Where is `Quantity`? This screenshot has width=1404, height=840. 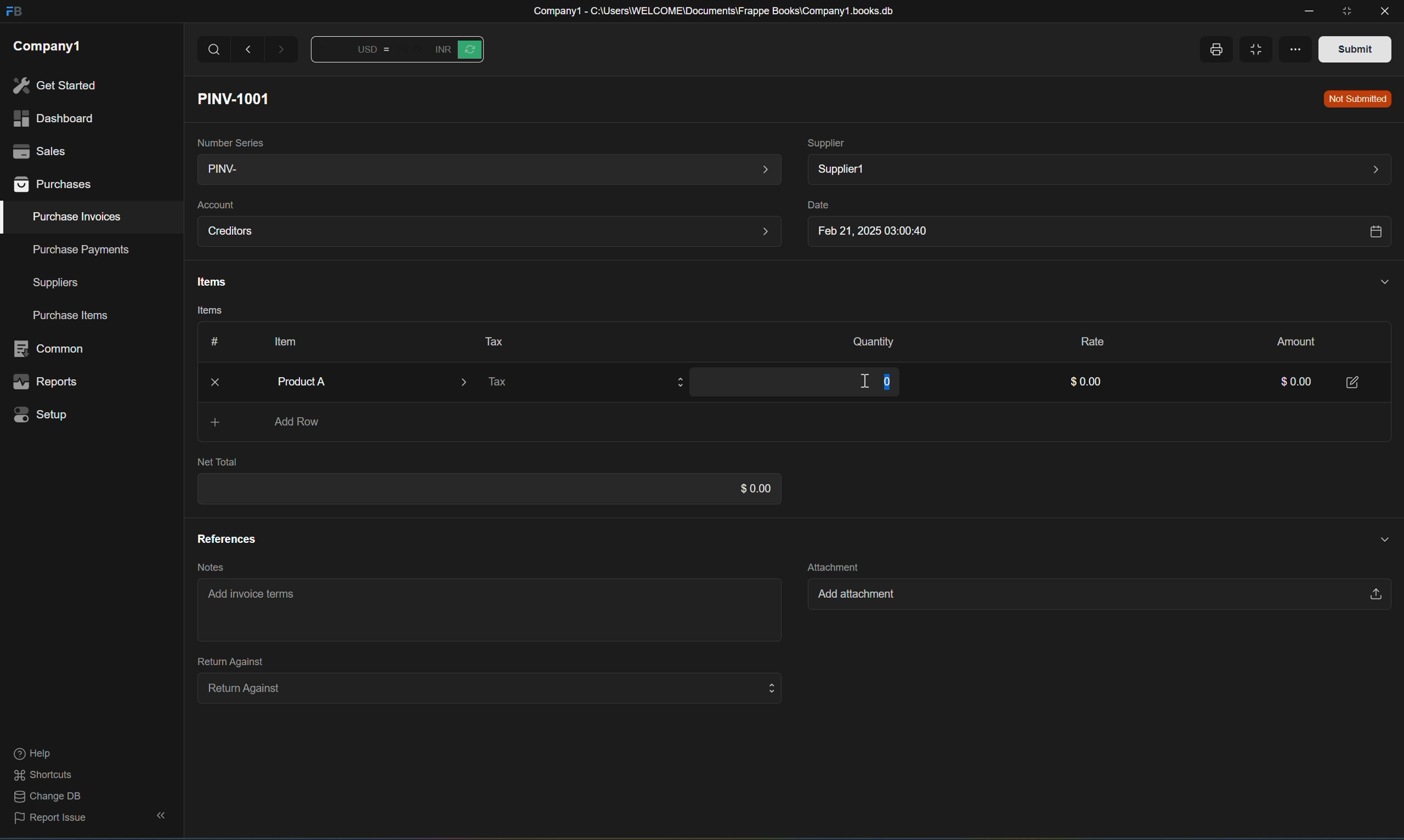 Quantity is located at coordinates (867, 342).